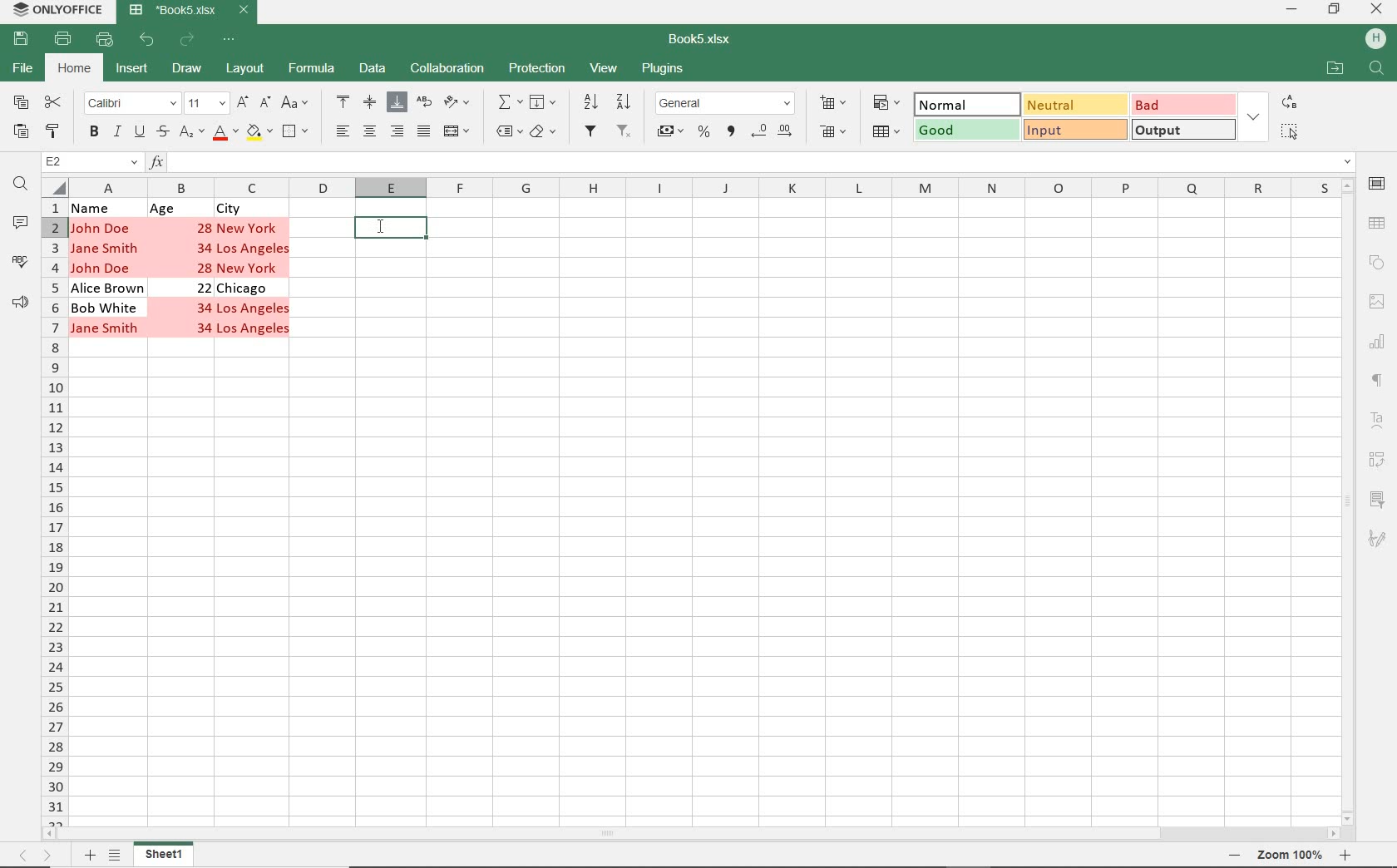 The image size is (1397, 868). Describe the element at coordinates (343, 132) in the screenshot. I see `ALIGN LEFT` at that location.